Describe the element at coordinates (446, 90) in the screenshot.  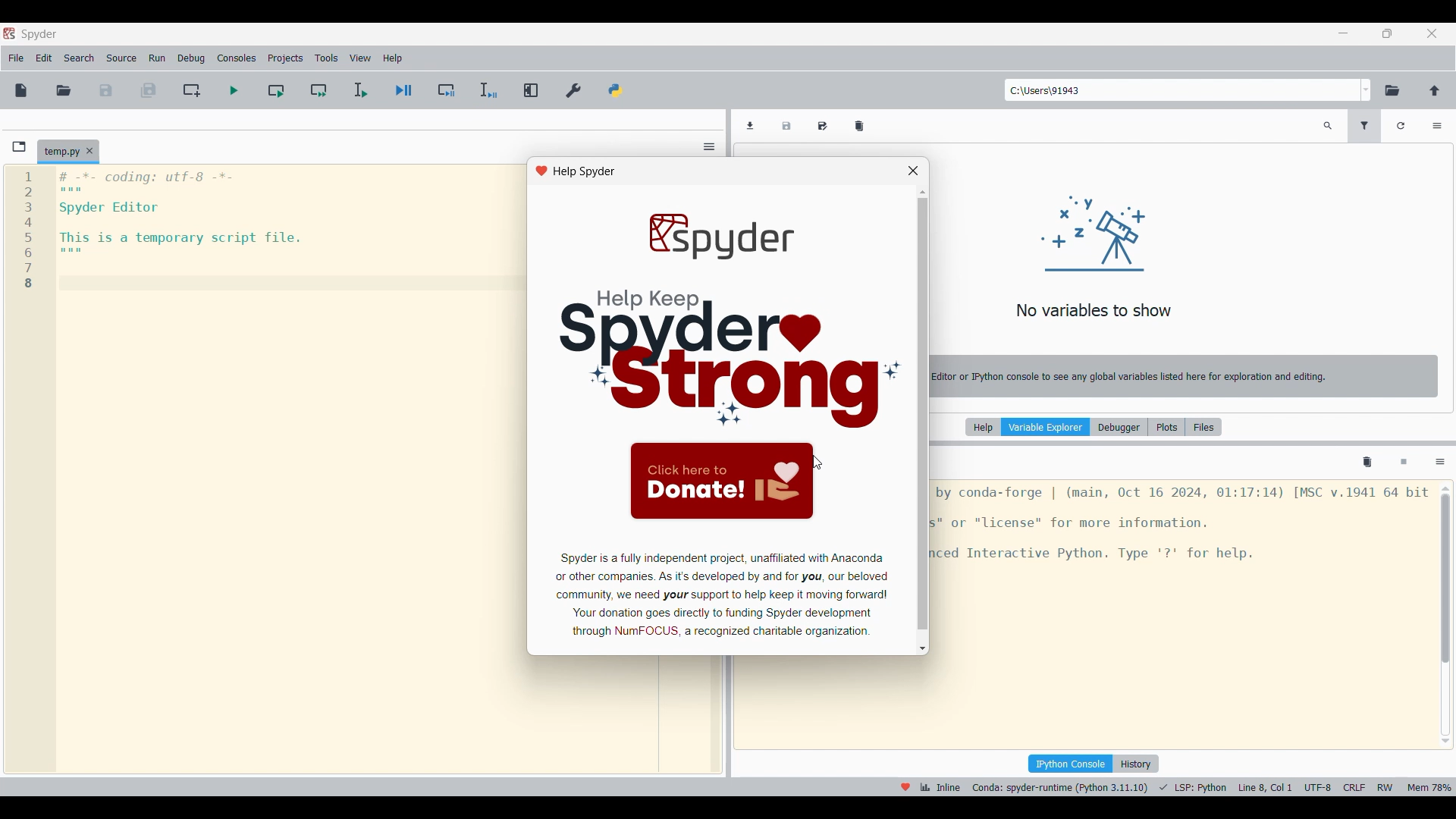
I see `Debug cell` at that location.